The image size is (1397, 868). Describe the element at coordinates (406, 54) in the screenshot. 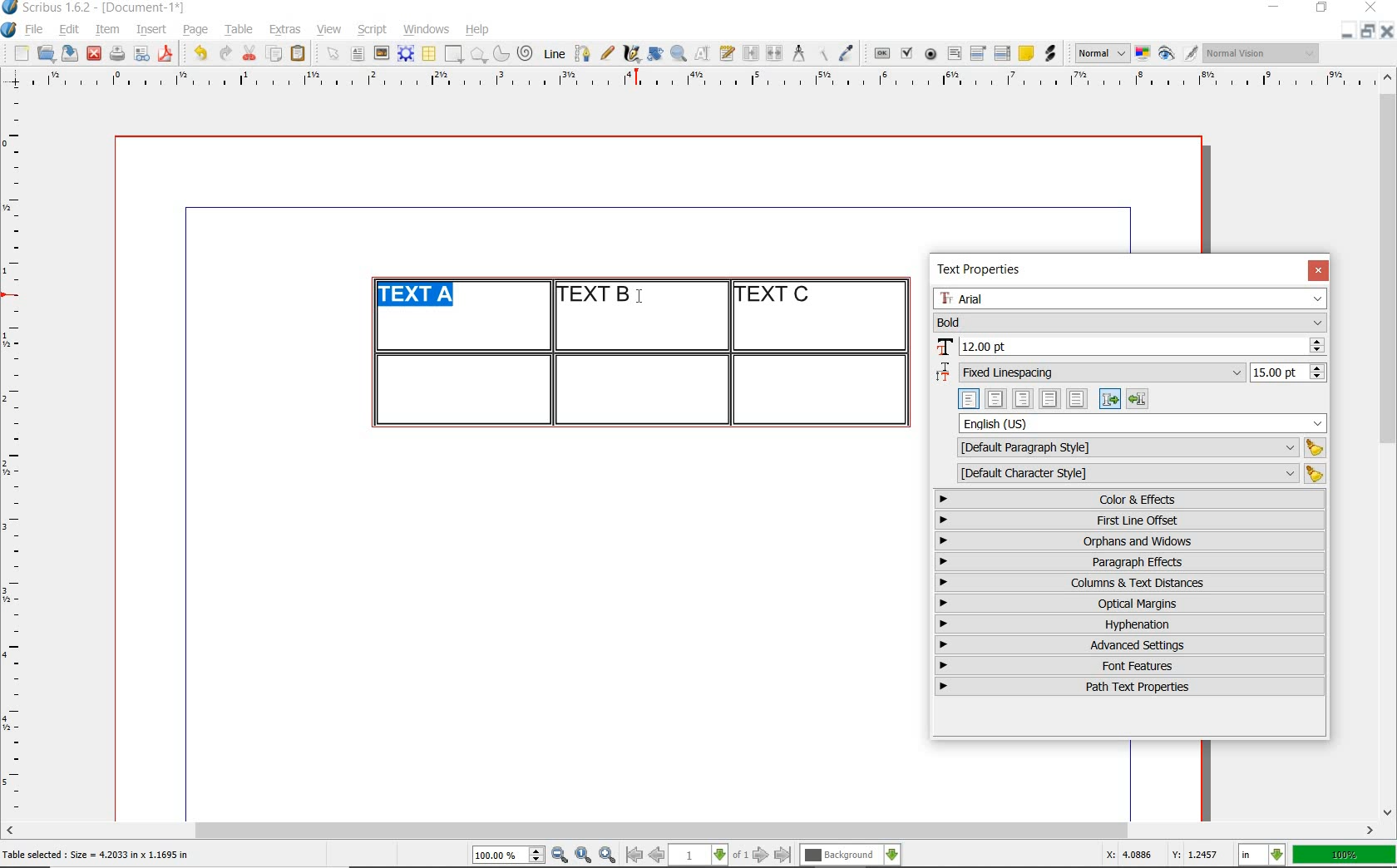

I see `render frame` at that location.